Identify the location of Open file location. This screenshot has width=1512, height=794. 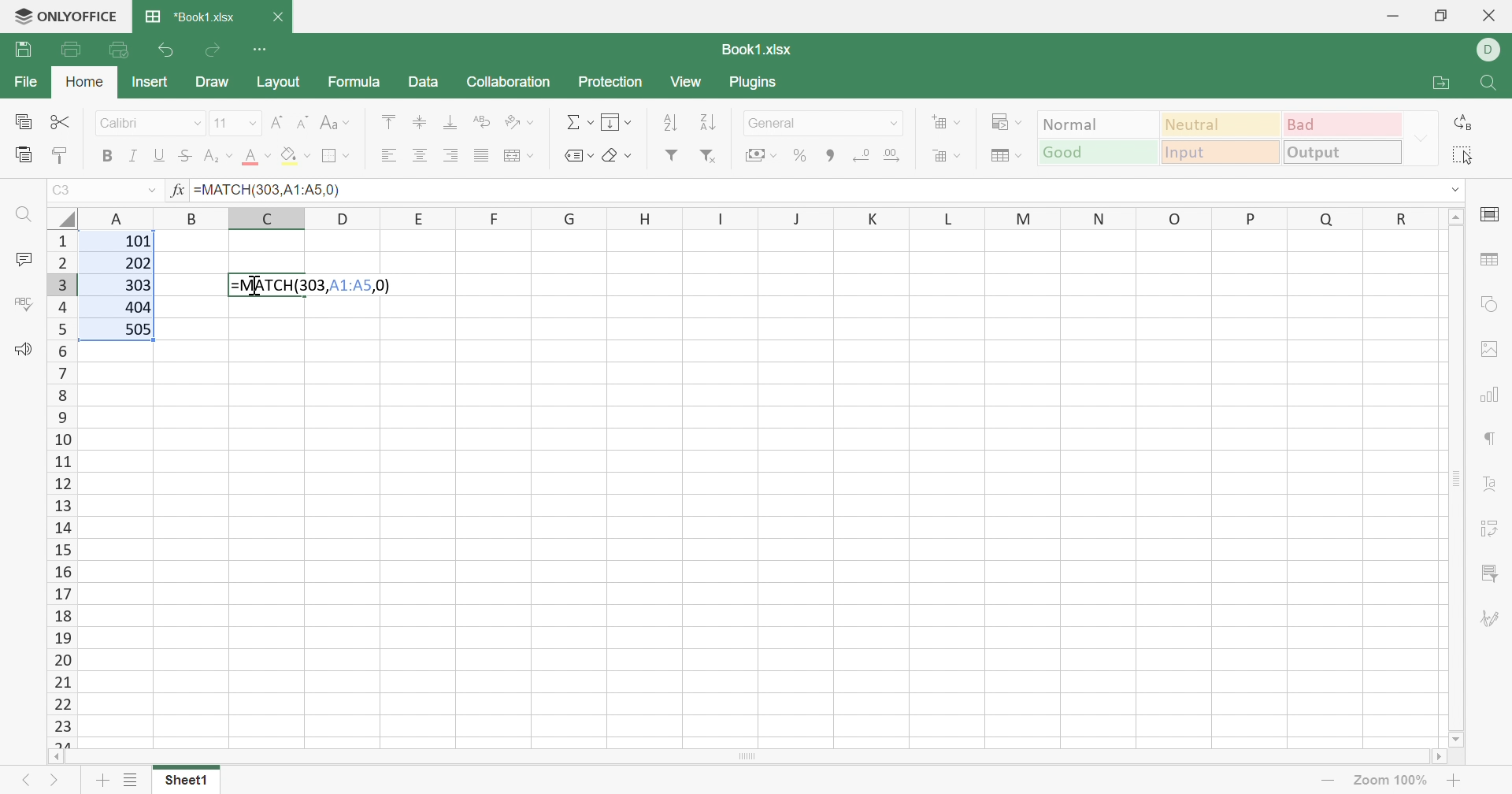
(1433, 82).